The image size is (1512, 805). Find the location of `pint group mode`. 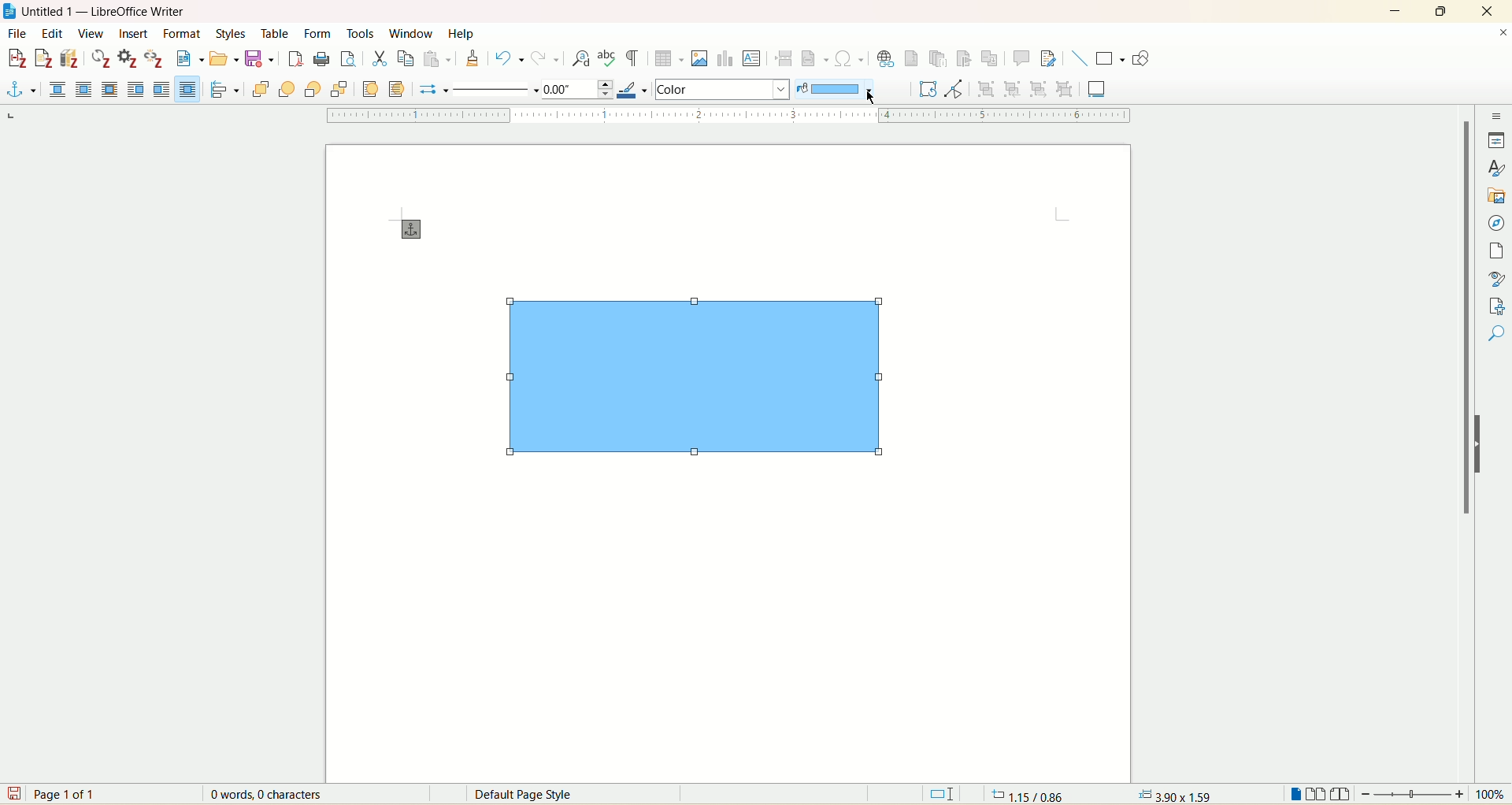

pint group mode is located at coordinates (954, 89).